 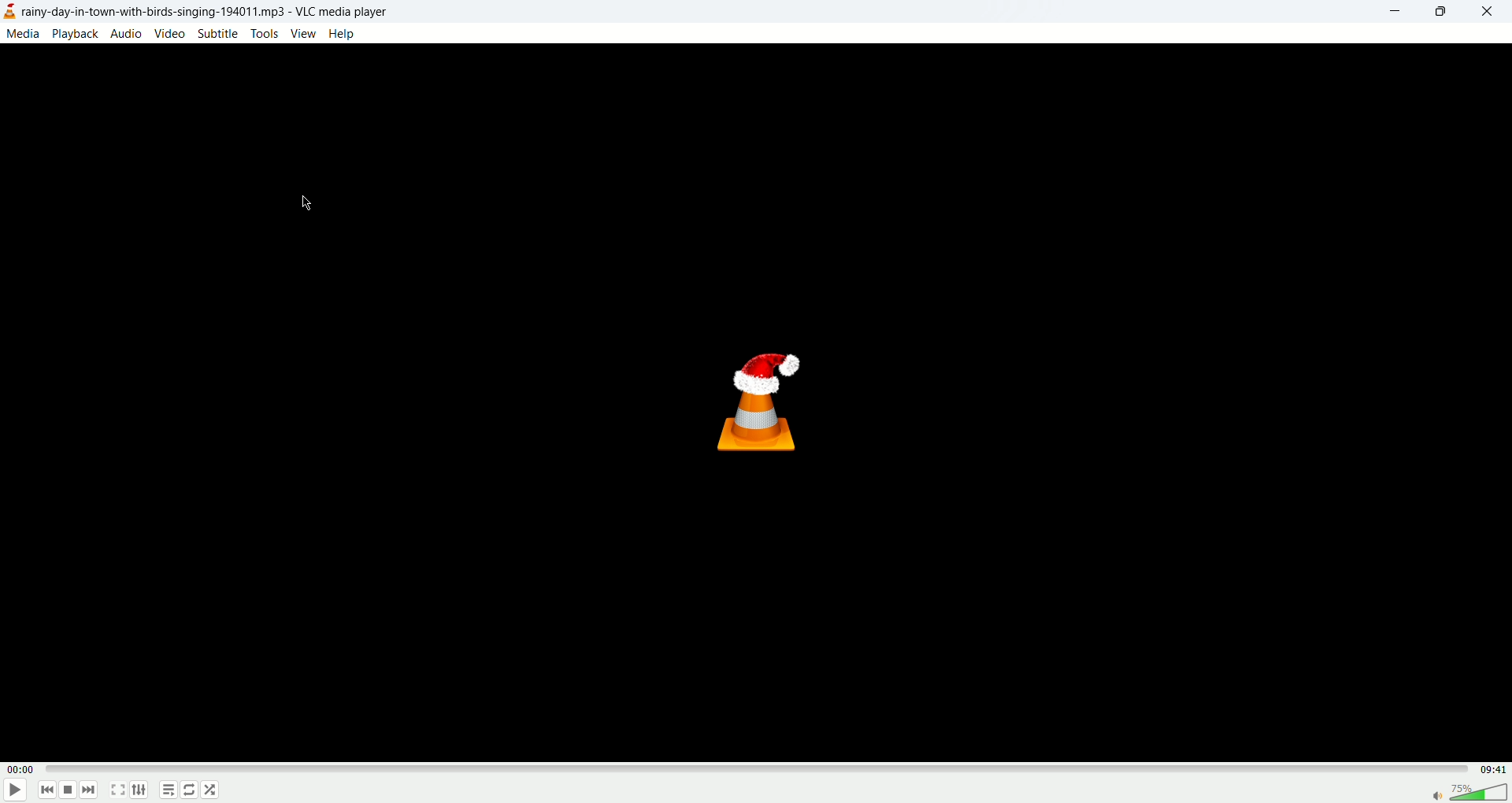 I want to click on audio, so click(x=130, y=35).